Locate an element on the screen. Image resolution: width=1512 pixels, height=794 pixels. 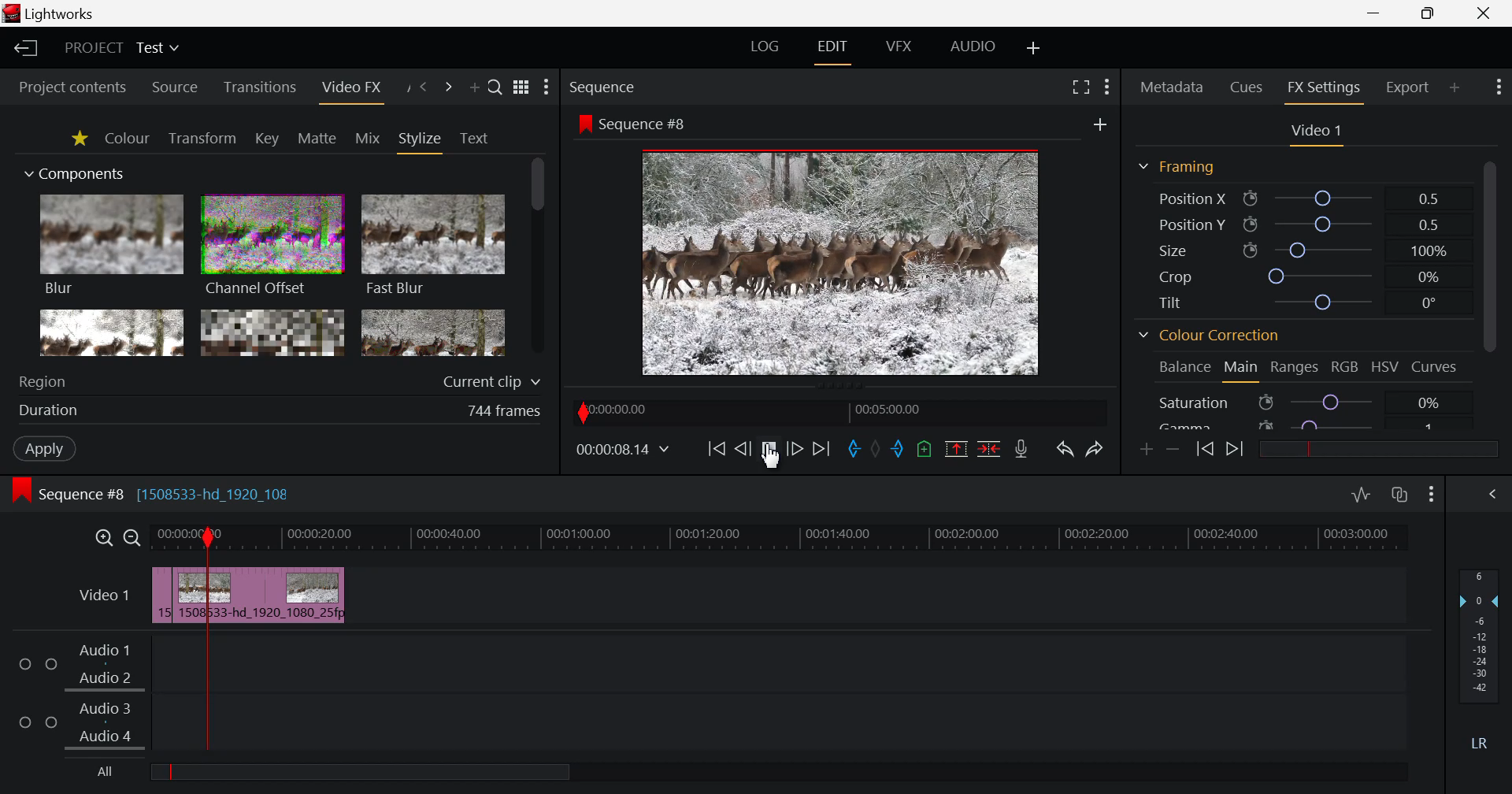
Project Timeline Navigator is located at coordinates (837, 410).